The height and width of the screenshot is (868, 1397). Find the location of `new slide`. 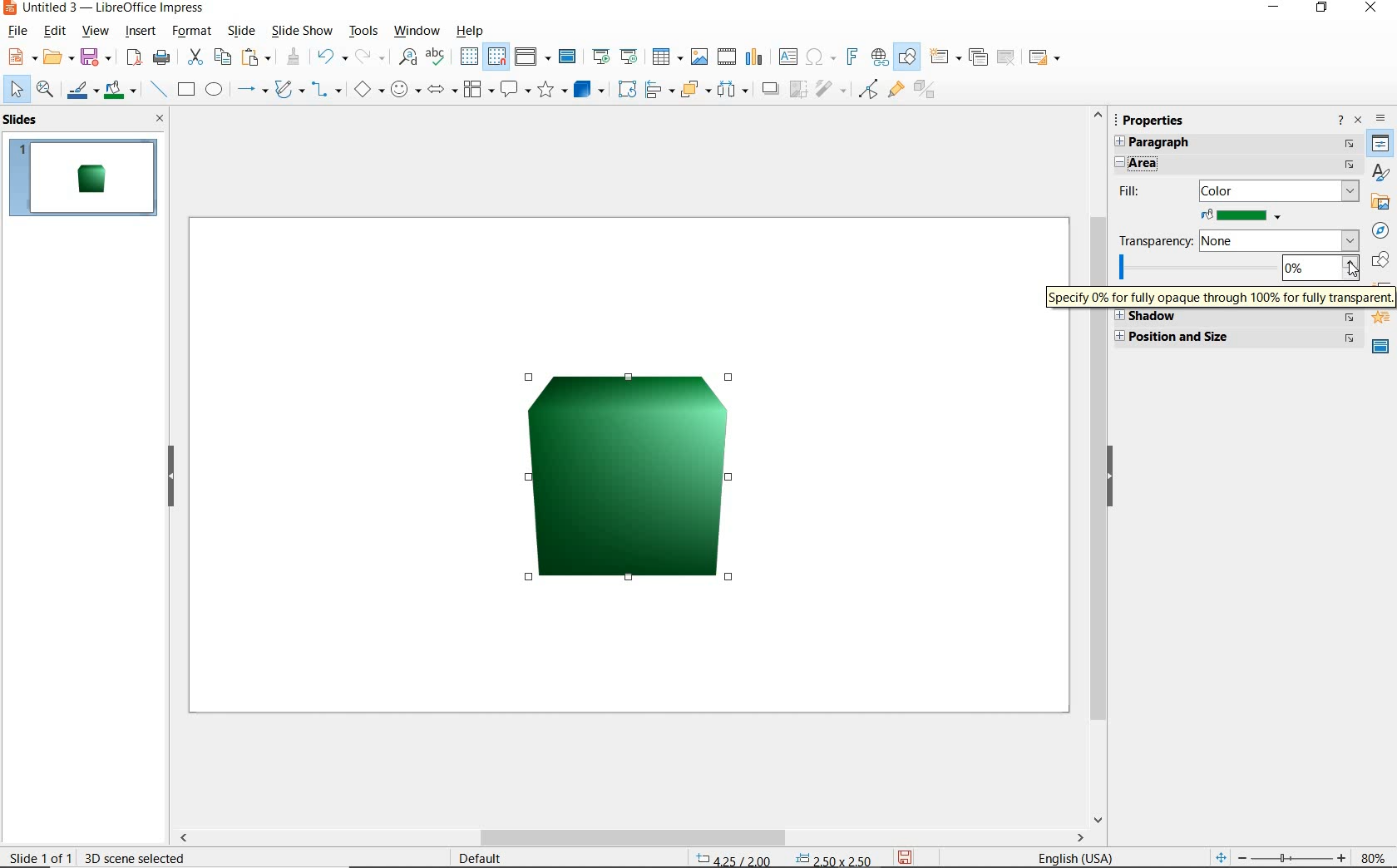

new slide is located at coordinates (944, 57).